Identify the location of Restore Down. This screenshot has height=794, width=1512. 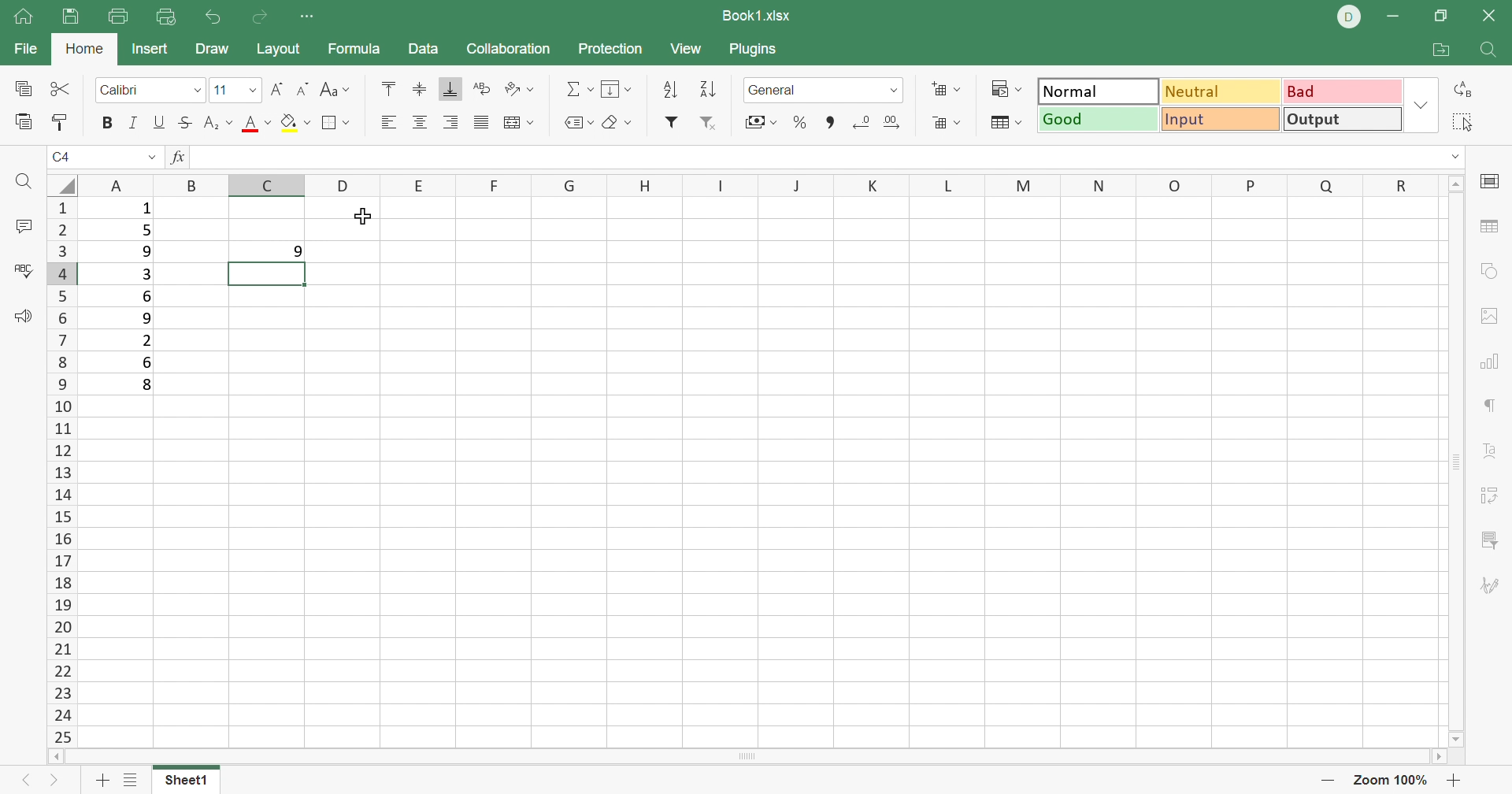
(1440, 14).